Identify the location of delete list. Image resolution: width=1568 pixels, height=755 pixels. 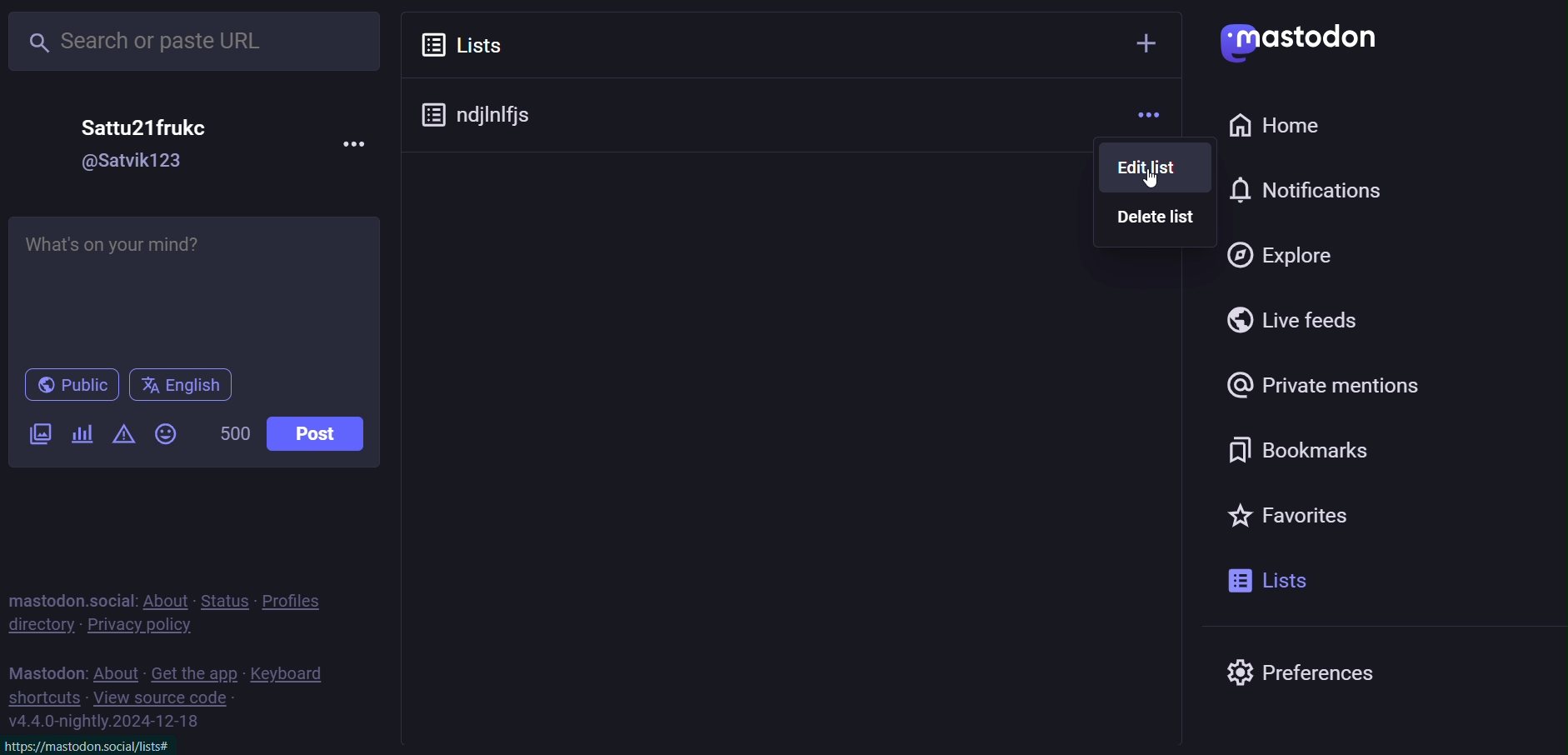
(1158, 219).